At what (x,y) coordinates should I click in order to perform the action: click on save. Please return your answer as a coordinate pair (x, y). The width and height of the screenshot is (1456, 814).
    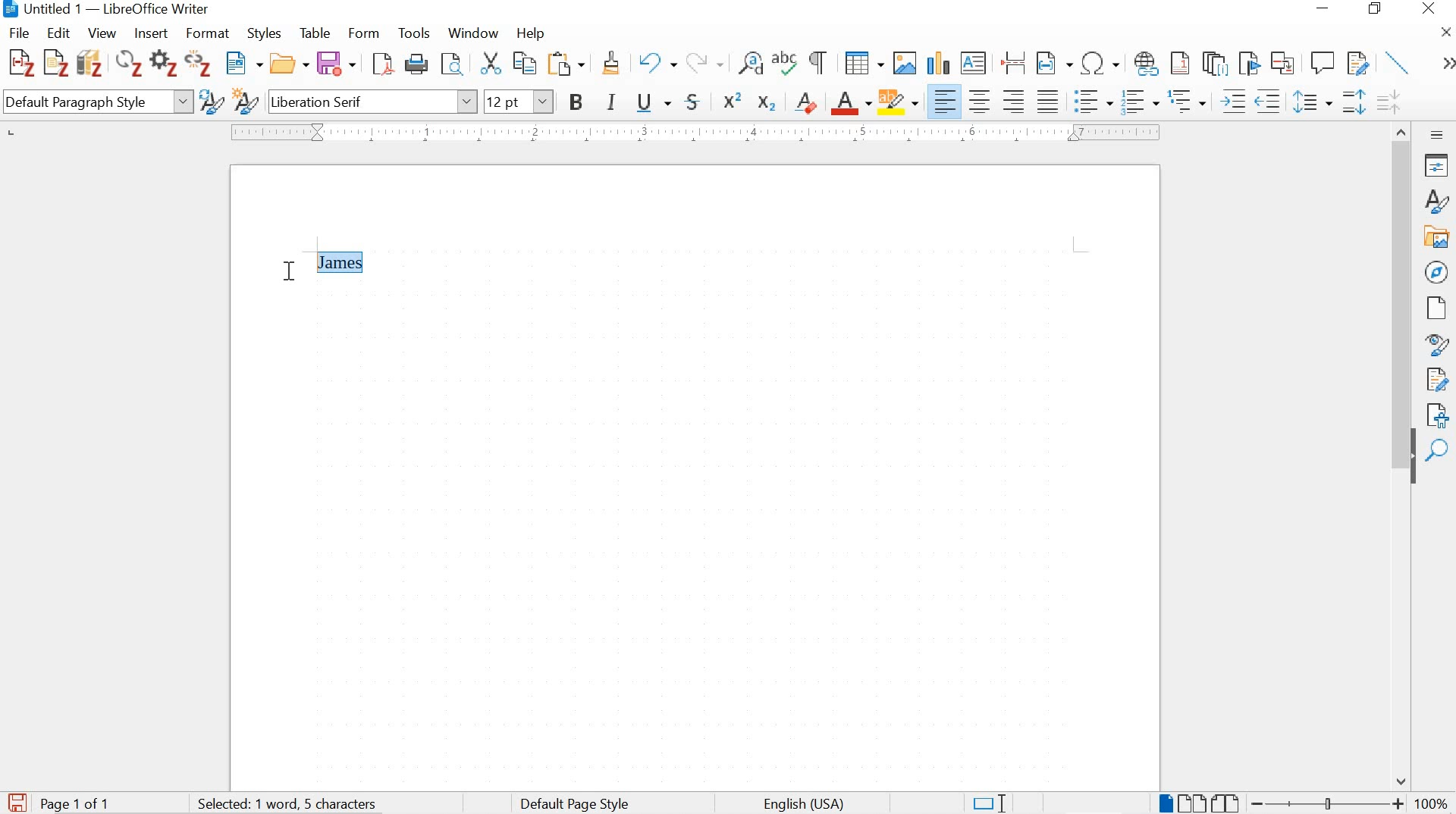
    Looking at the image, I should click on (336, 64).